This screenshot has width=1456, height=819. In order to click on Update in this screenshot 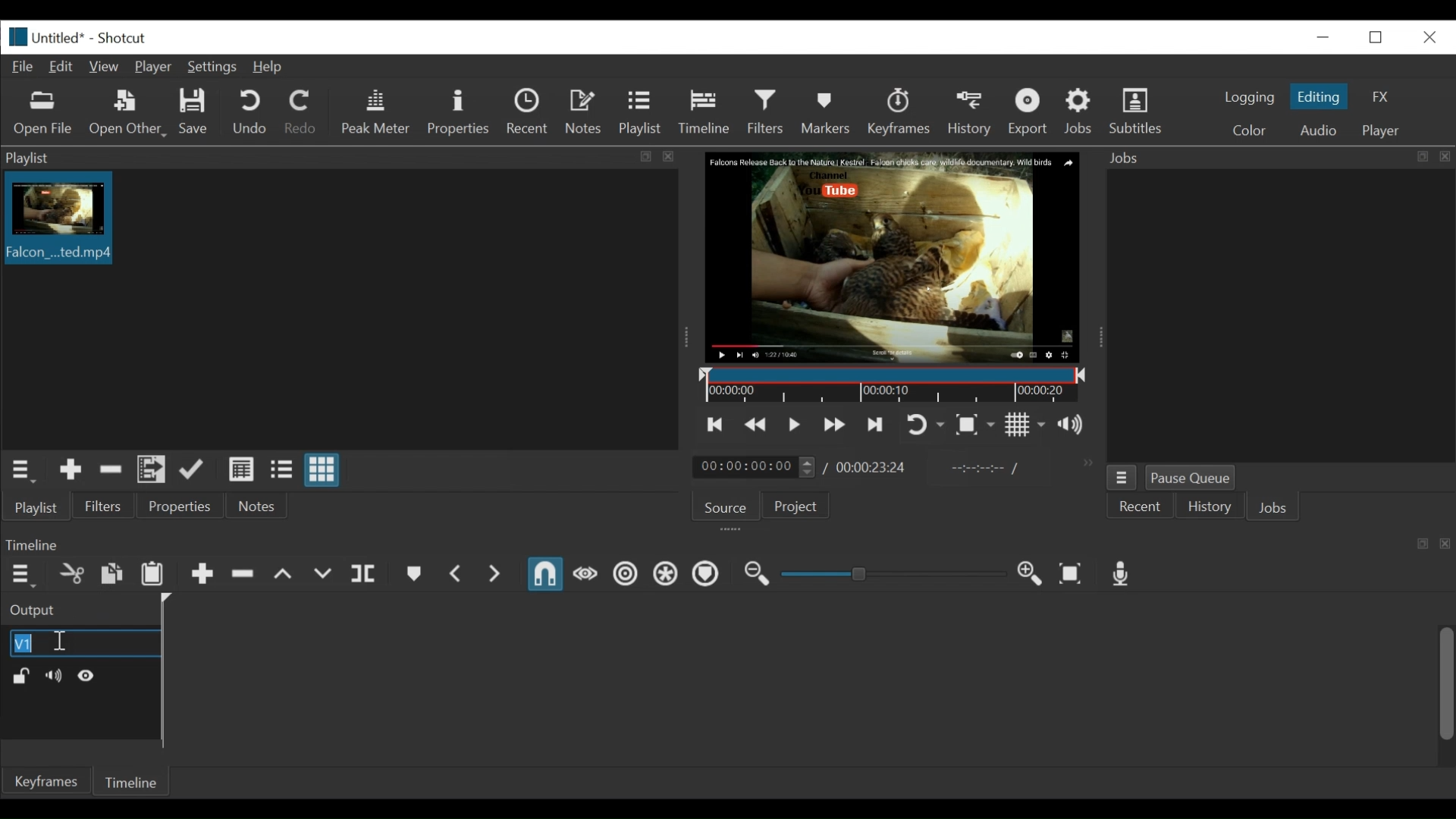, I will do `click(195, 470)`.